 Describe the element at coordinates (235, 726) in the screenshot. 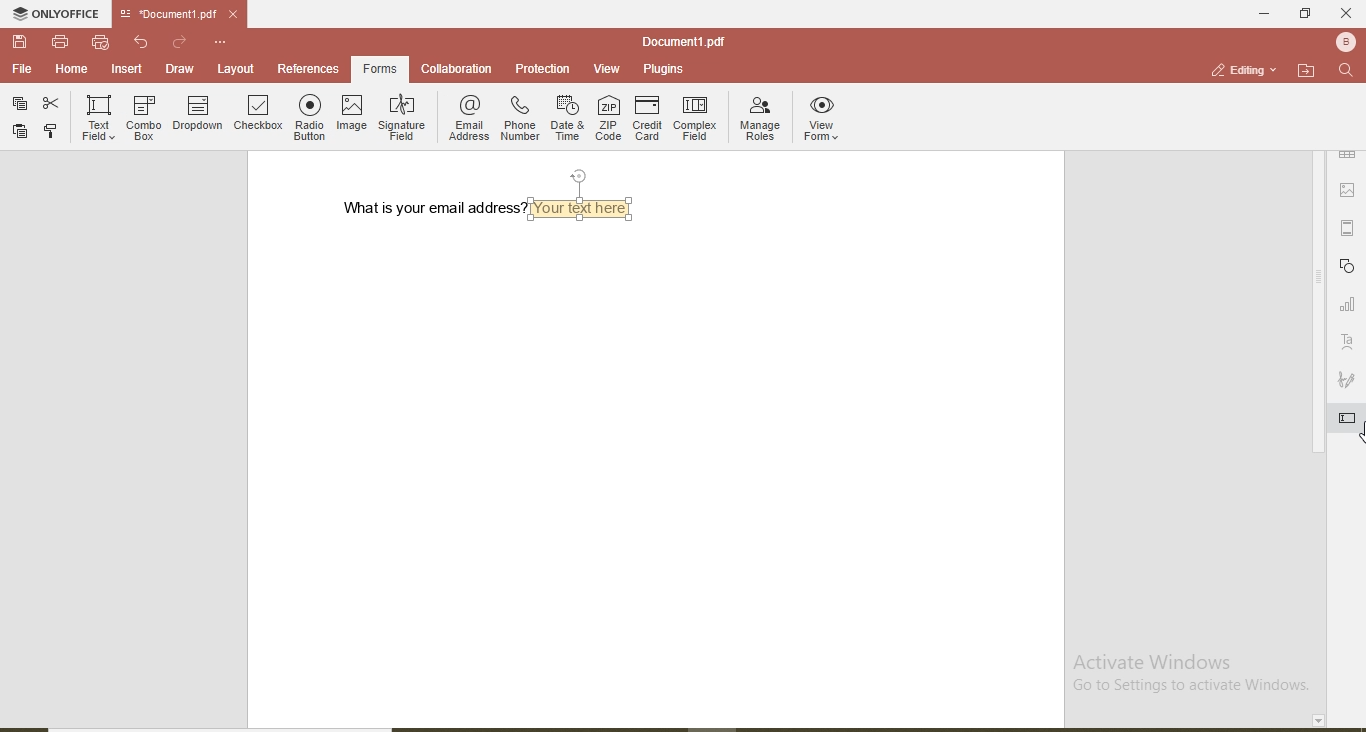

I see `horizontal scroll bar` at that location.